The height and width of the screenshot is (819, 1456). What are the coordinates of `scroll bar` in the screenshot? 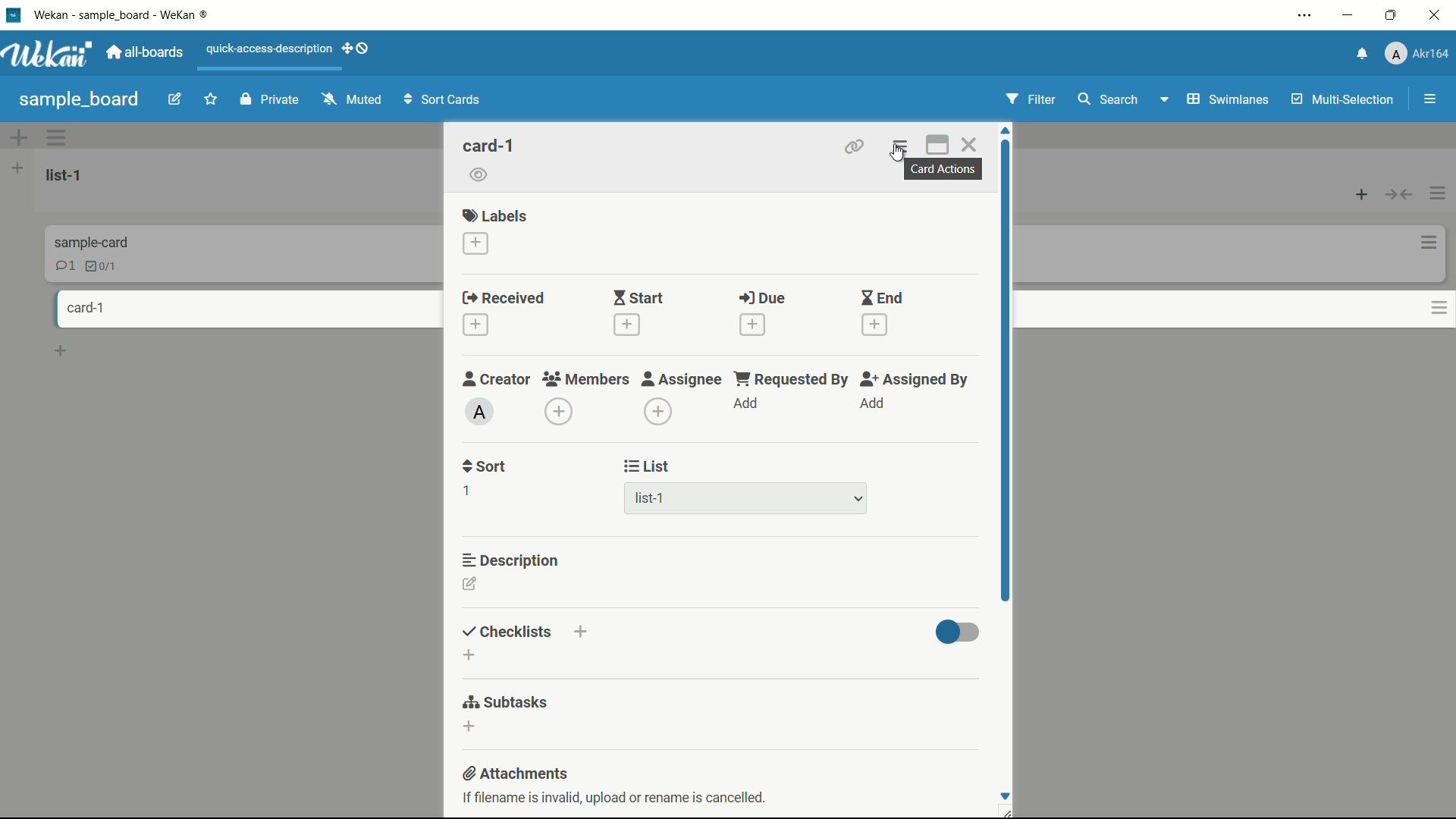 It's located at (1005, 369).